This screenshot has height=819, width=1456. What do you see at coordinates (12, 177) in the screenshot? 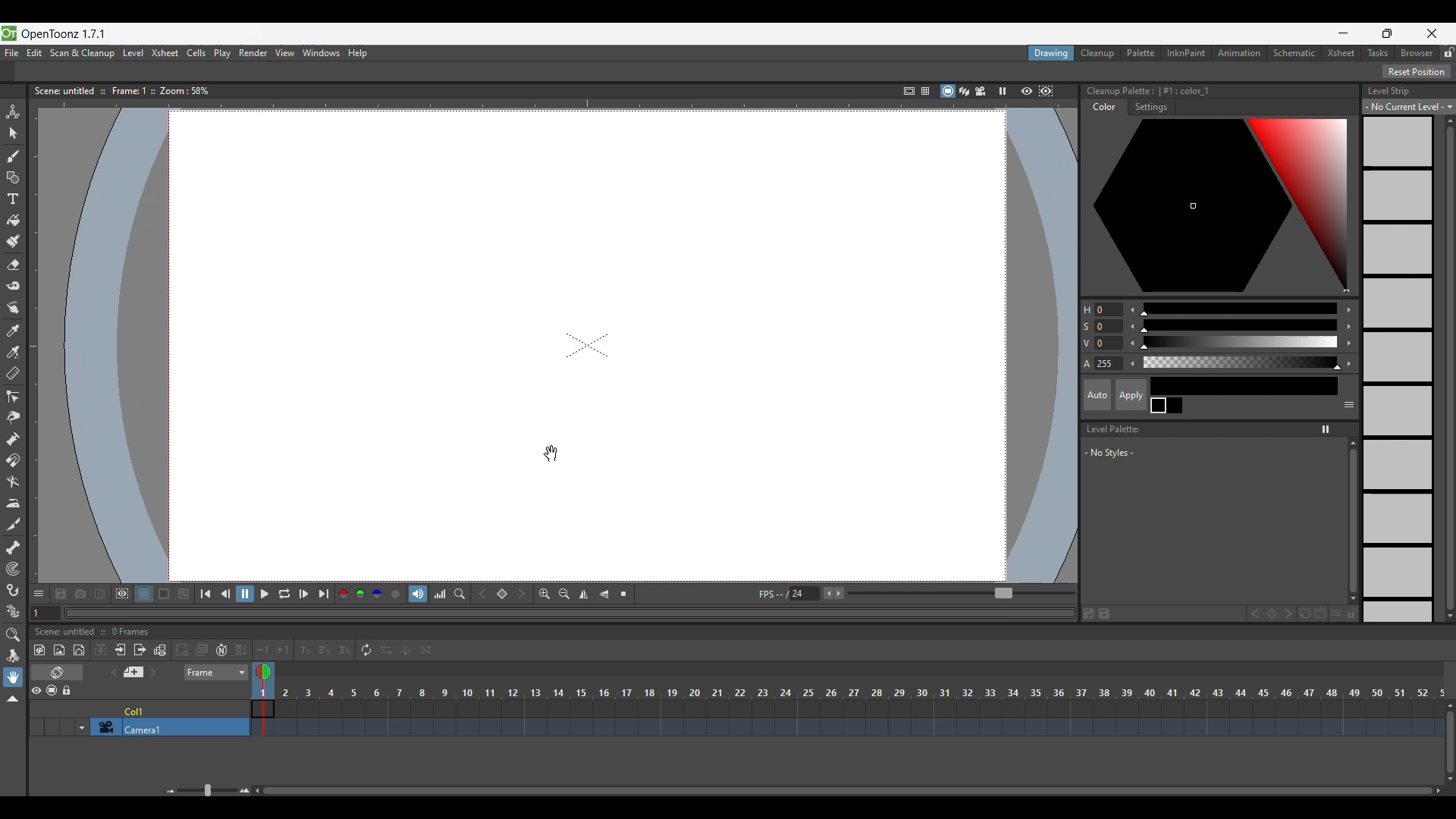
I see `Geometric tool` at bounding box center [12, 177].